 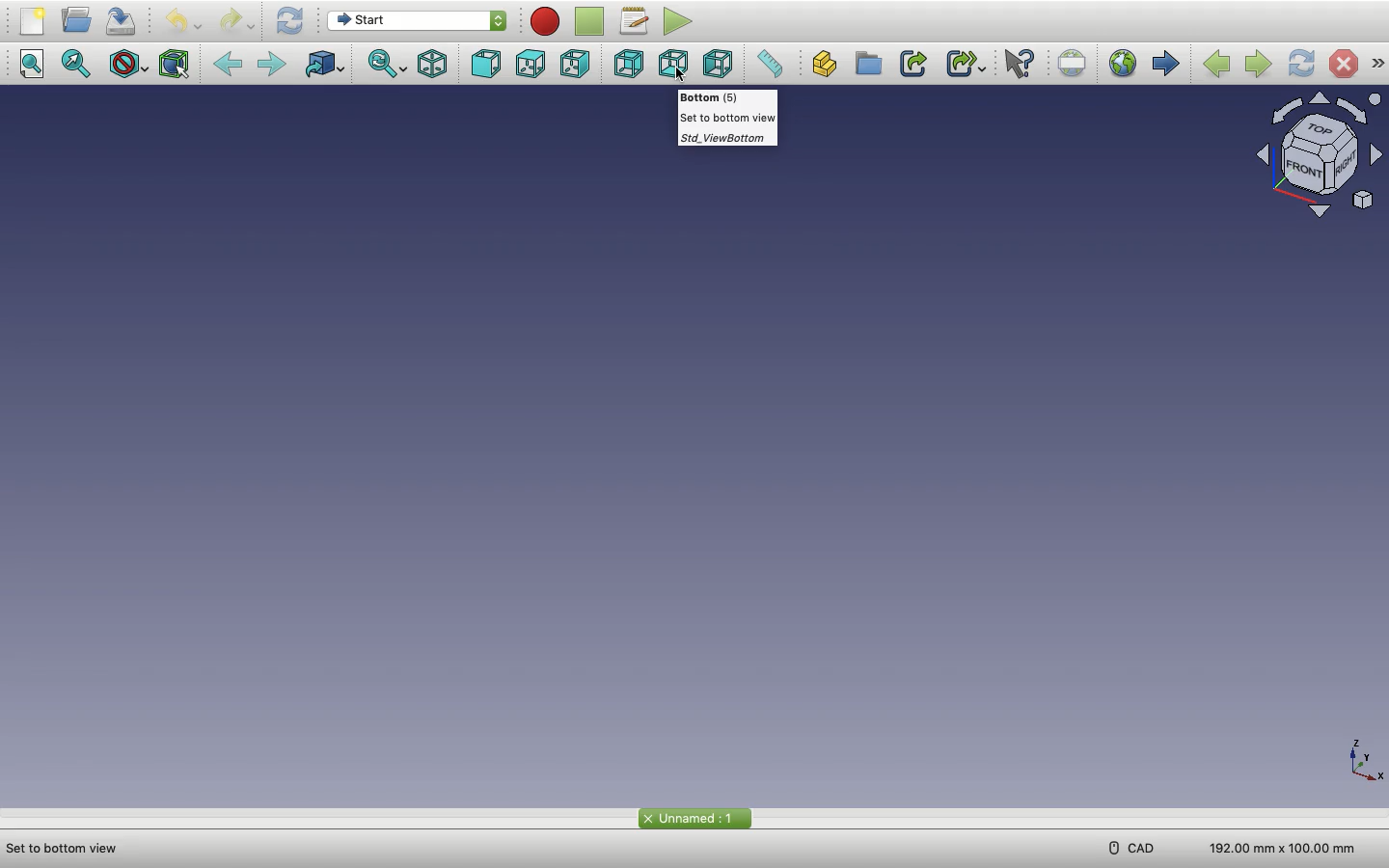 I want to click on Axis, so click(x=1361, y=762).